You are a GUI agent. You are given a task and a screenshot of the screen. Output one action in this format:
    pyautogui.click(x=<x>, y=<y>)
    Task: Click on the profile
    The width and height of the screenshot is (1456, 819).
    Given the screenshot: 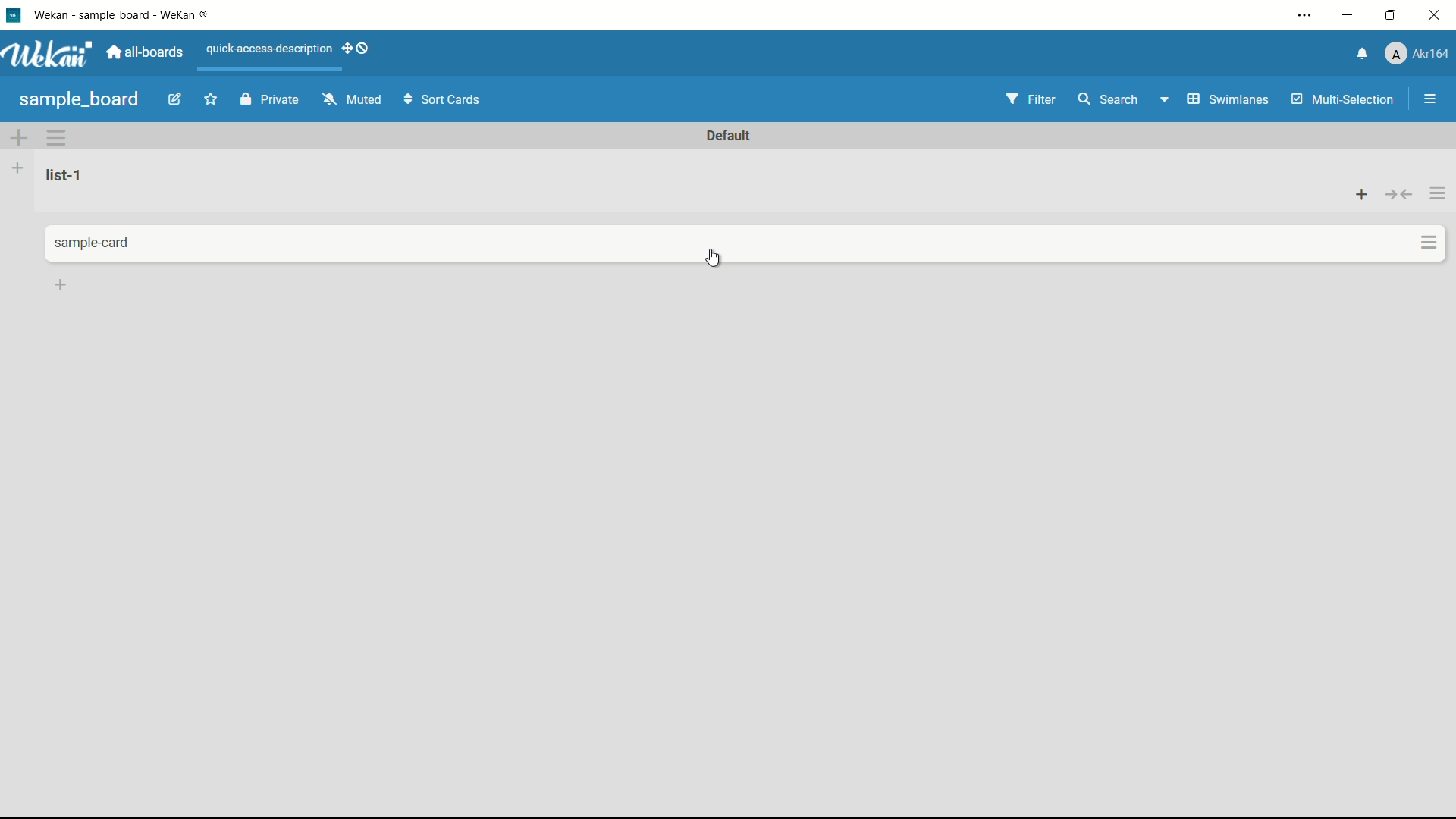 What is the action you would take?
    pyautogui.click(x=1417, y=55)
    